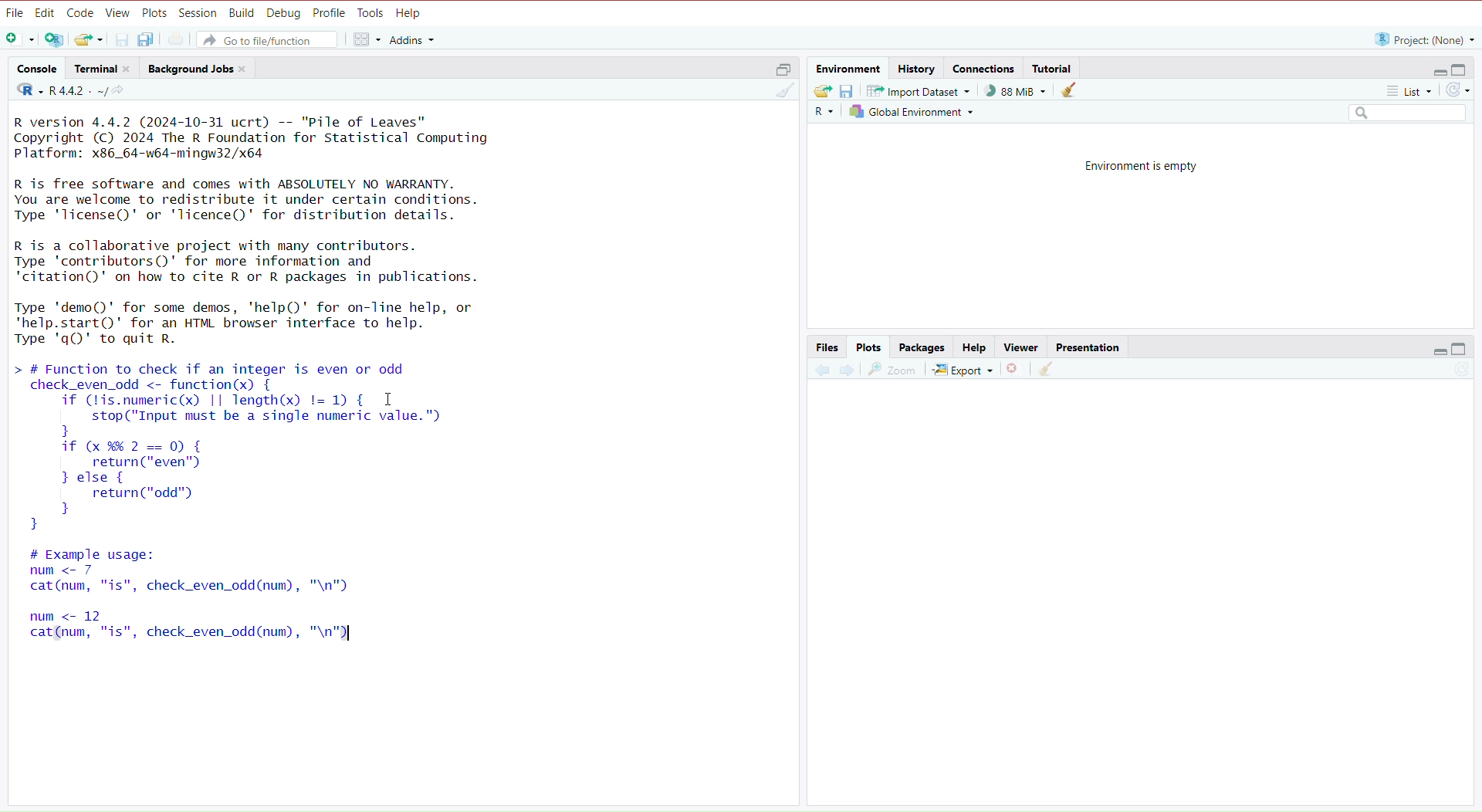  Describe the element at coordinates (919, 67) in the screenshot. I see `history` at that location.